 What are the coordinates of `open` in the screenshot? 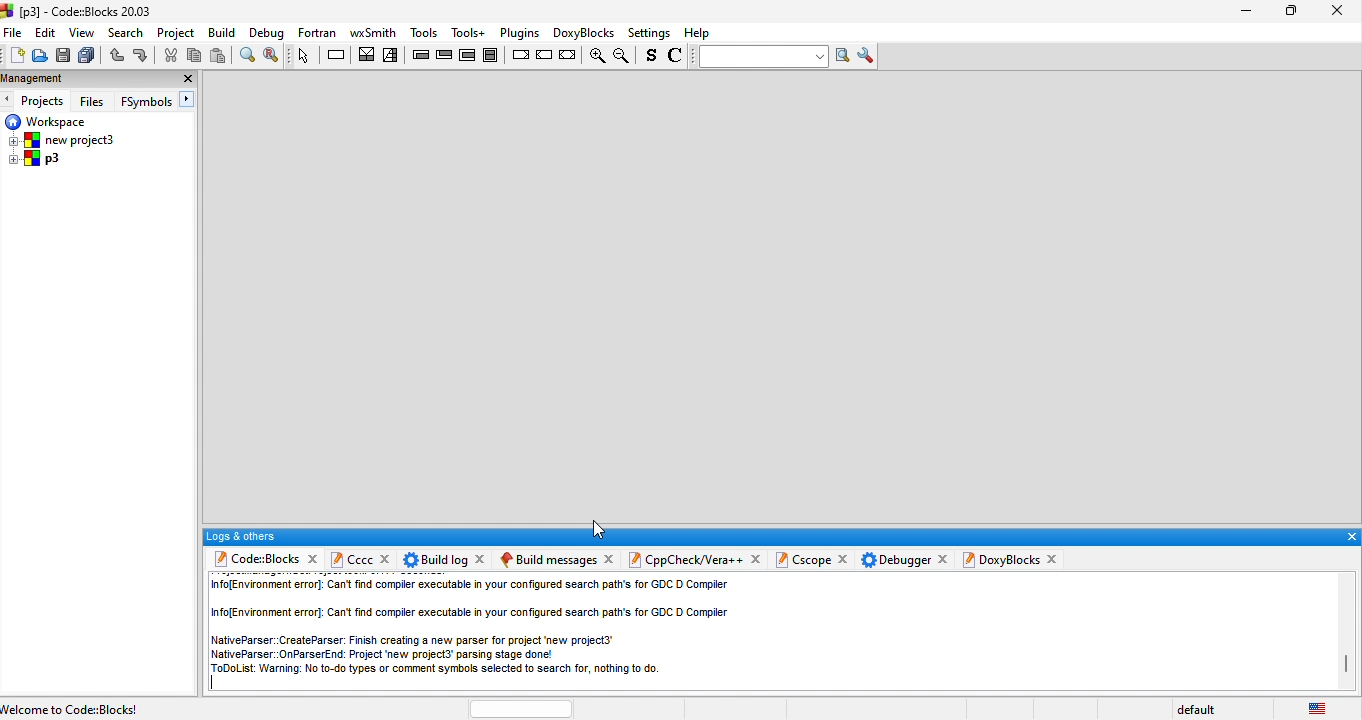 It's located at (39, 57).